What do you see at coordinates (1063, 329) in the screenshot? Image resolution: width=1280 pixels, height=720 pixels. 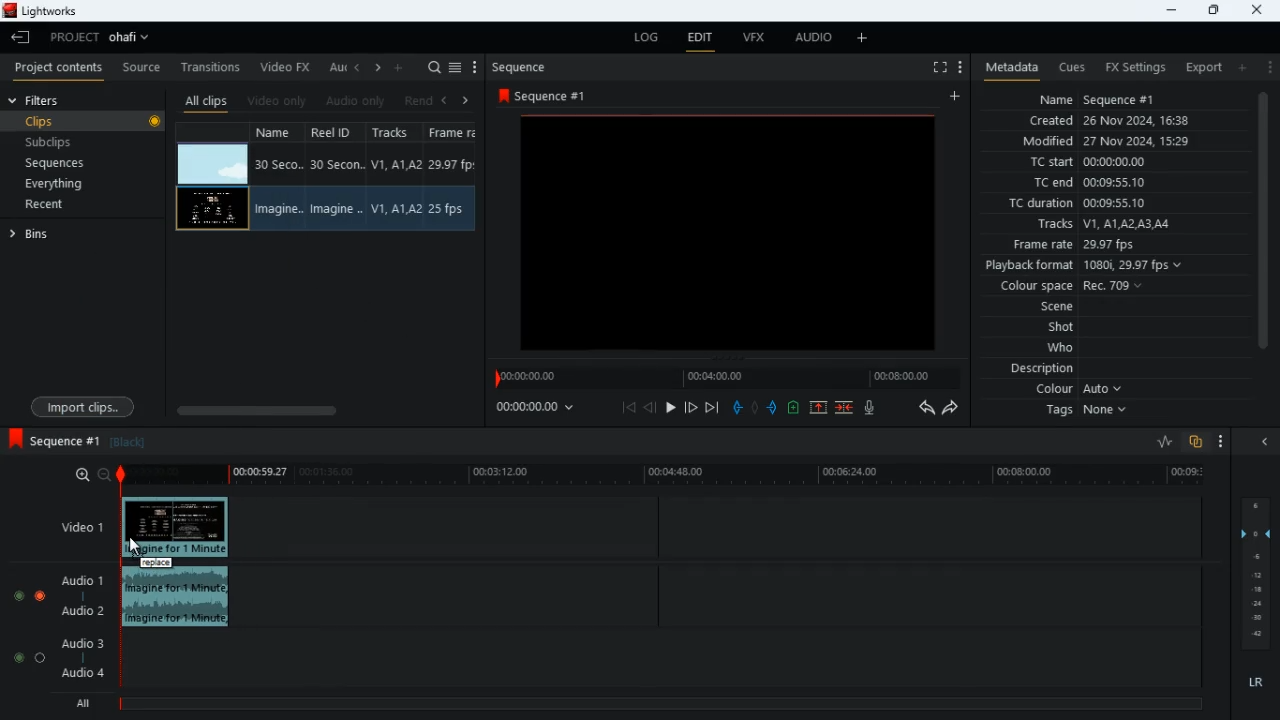 I see `shot` at bounding box center [1063, 329].